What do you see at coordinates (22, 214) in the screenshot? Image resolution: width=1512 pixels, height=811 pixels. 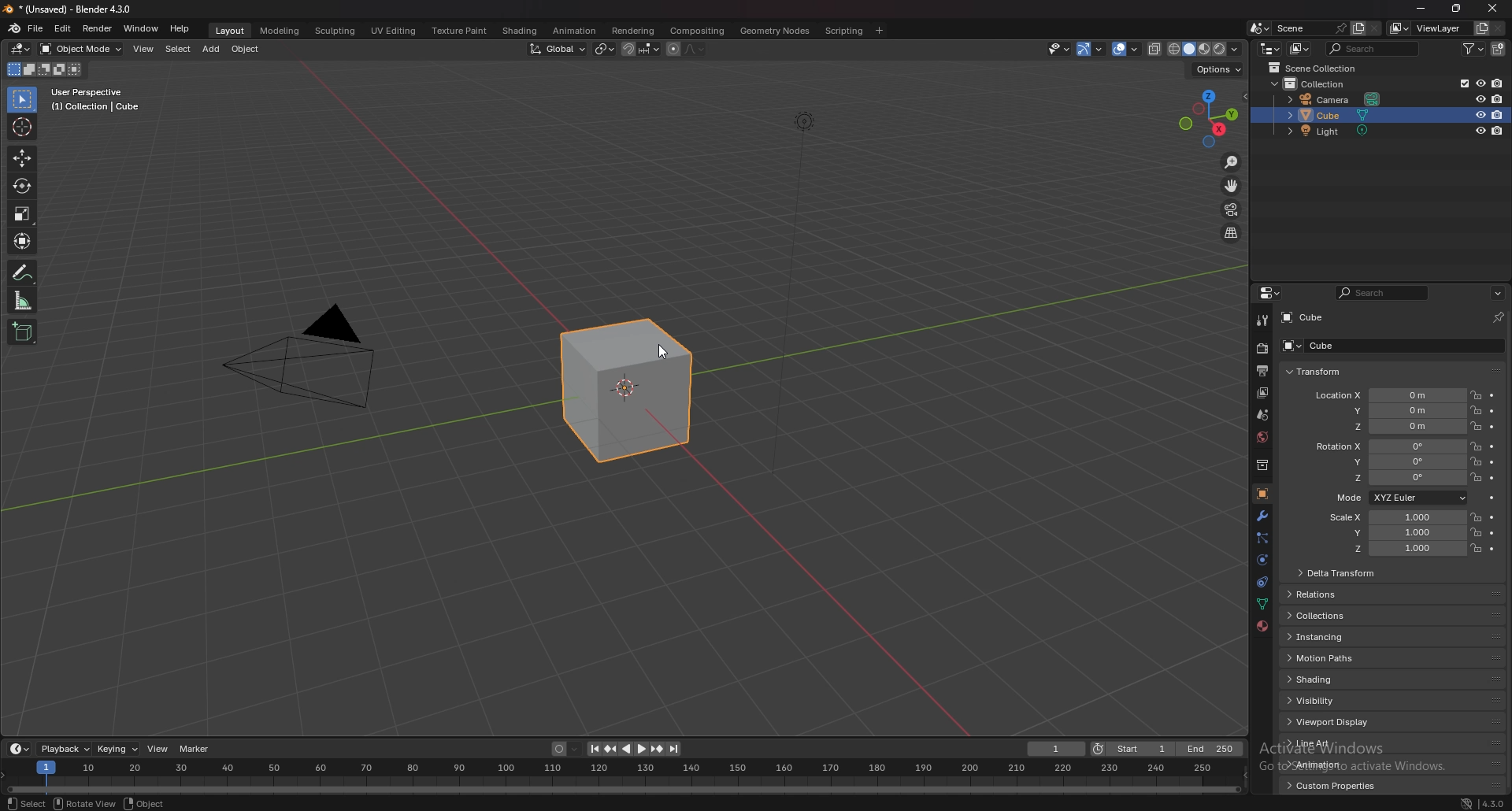 I see `scale` at bounding box center [22, 214].